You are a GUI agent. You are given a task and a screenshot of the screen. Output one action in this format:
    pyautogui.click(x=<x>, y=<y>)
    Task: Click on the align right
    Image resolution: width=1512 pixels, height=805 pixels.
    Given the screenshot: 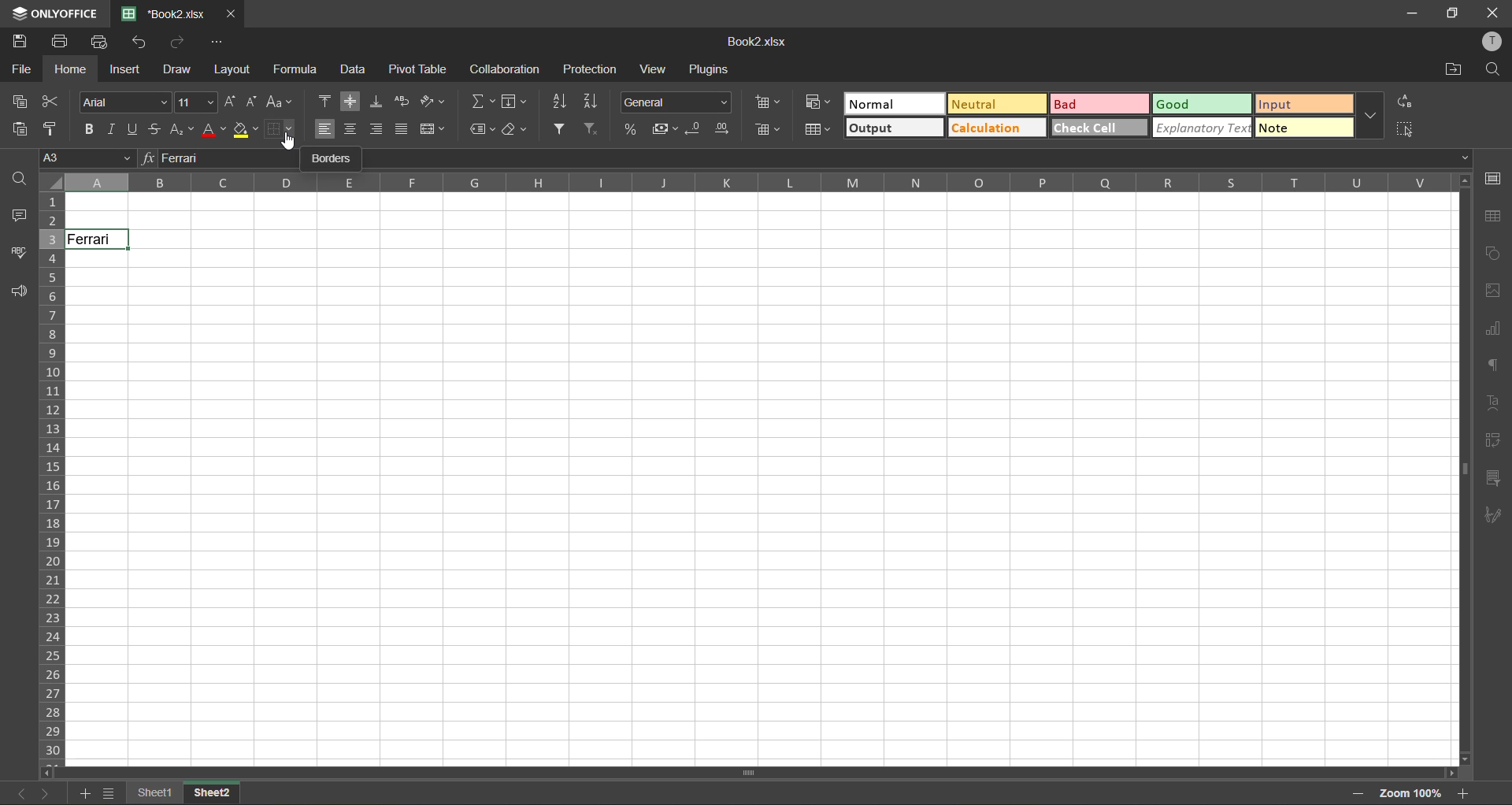 What is the action you would take?
    pyautogui.click(x=377, y=130)
    